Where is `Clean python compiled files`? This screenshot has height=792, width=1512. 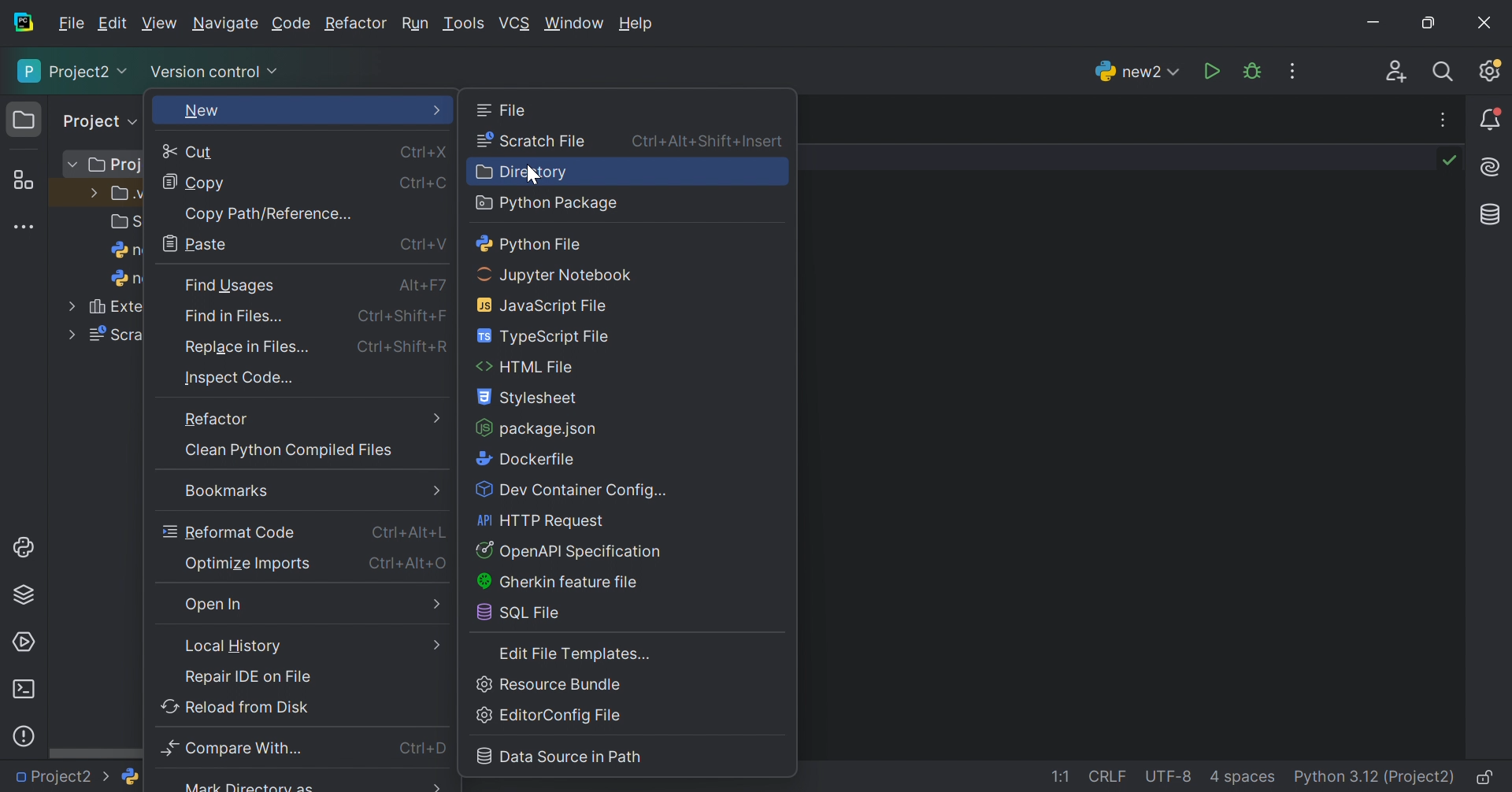 Clean python compiled files is located at coordinates (291, 450).